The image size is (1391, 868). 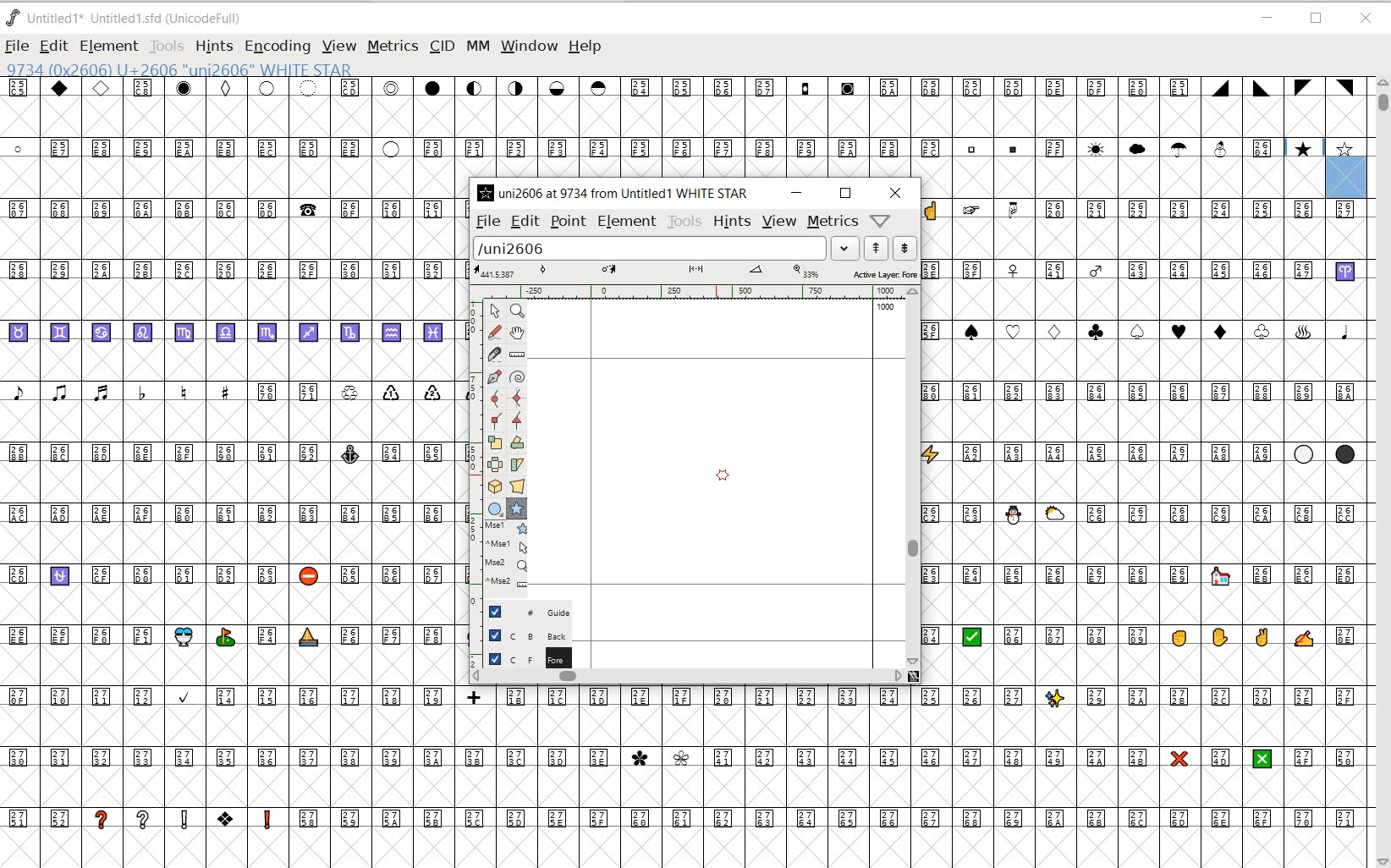 I want to click on Untitled 1* Untitled 1.sfd (UnicodeFull), so click(x=130, y=19).